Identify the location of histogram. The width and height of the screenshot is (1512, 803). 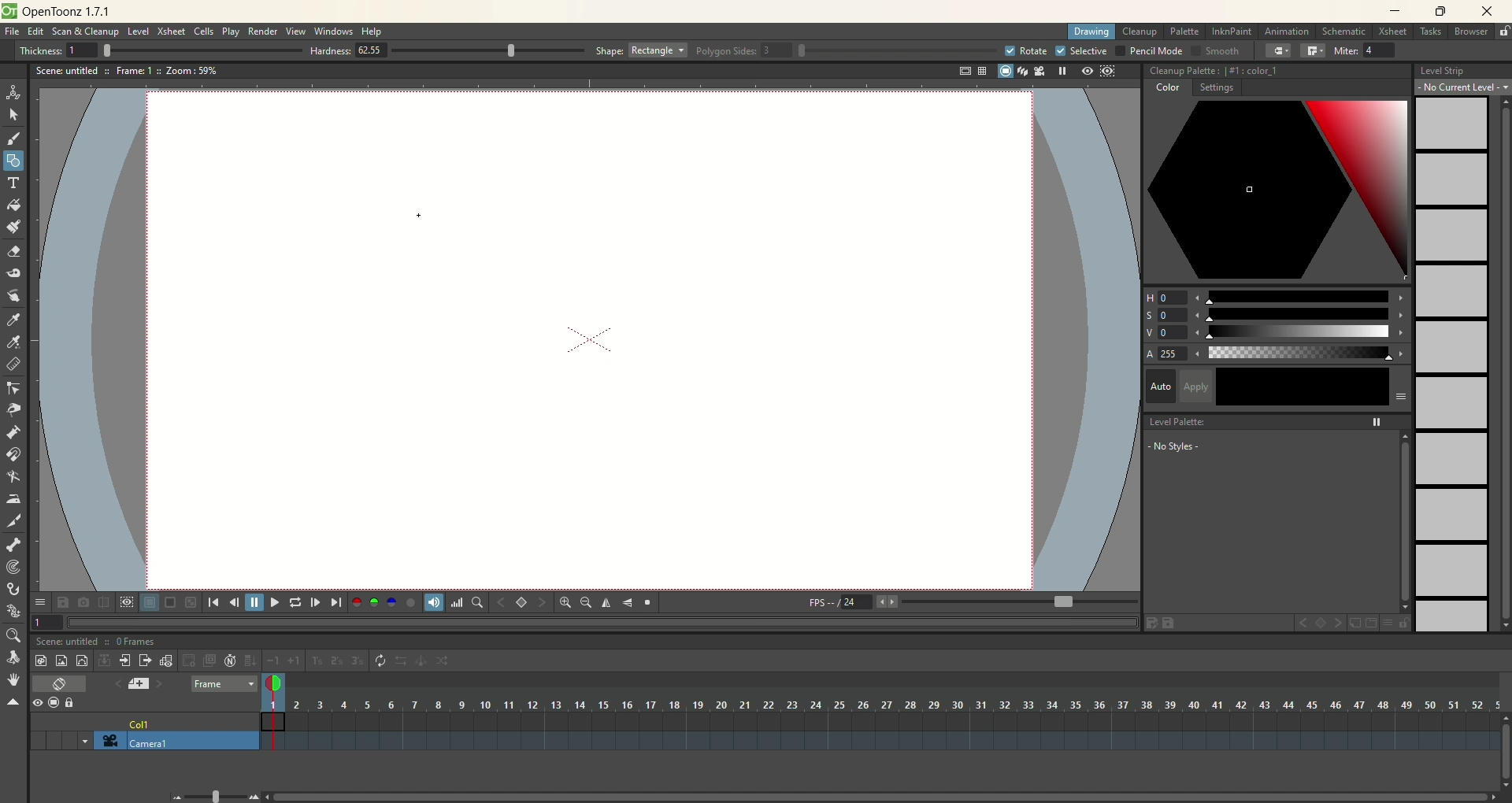
(457, 602).